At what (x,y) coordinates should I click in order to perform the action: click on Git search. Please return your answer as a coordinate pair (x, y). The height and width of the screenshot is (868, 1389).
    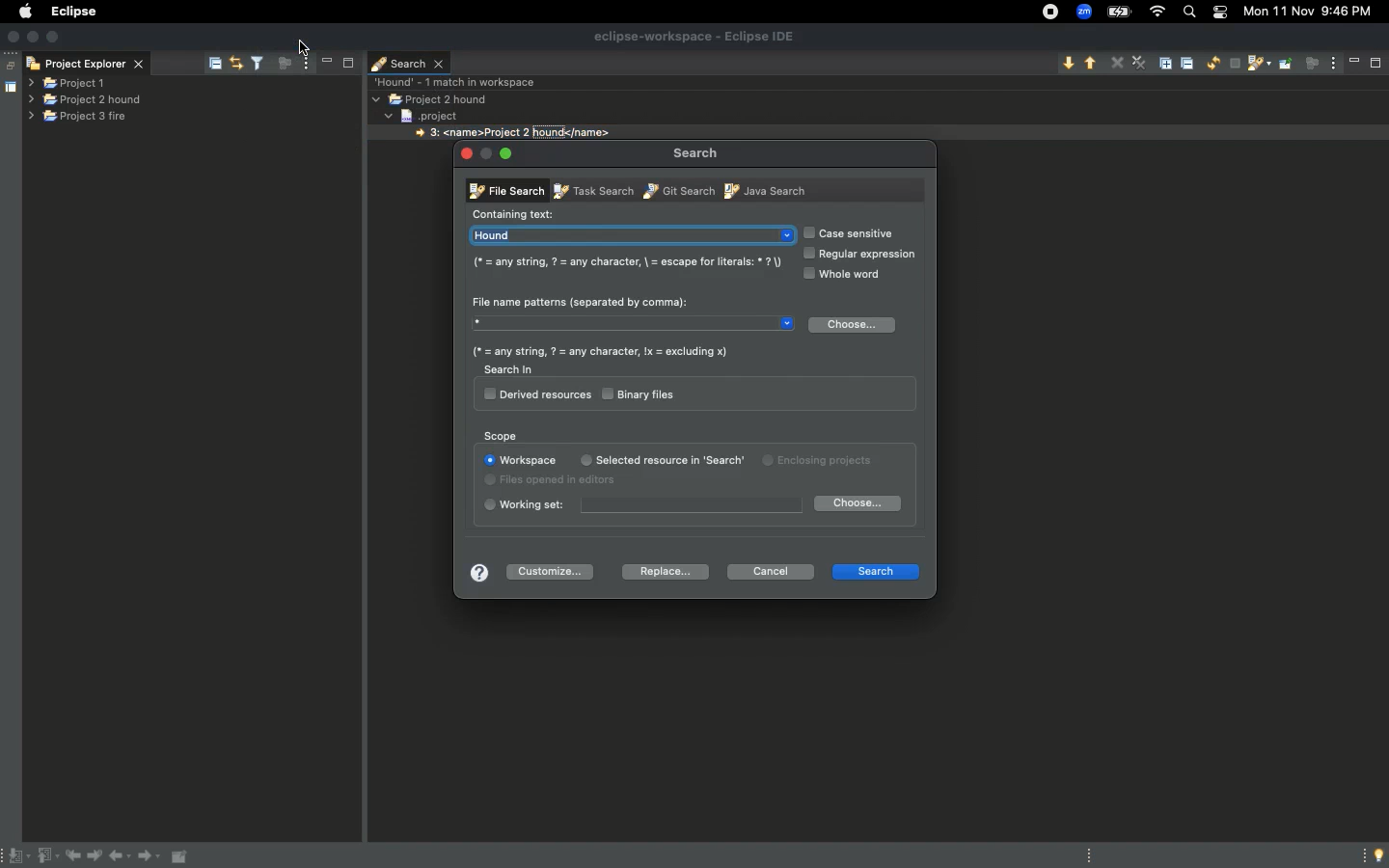
    Looking at the image, I should click on (676, 190).